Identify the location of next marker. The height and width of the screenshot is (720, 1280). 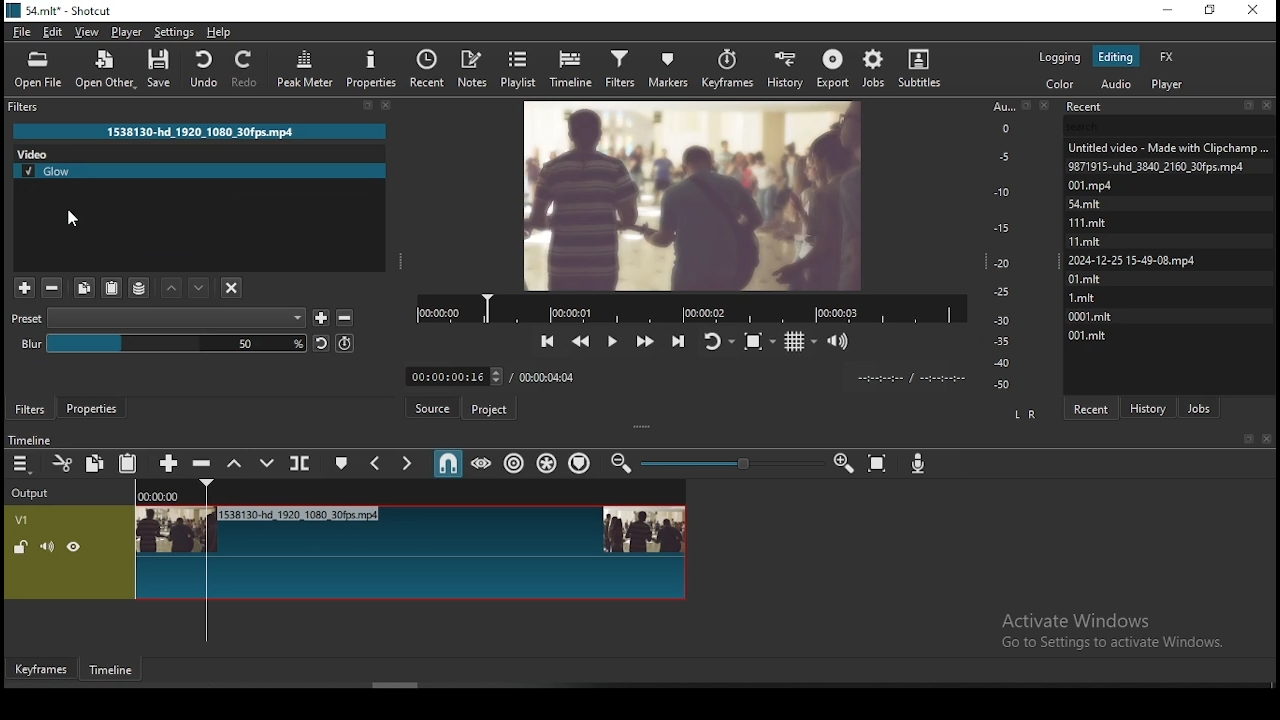
(405, 464).